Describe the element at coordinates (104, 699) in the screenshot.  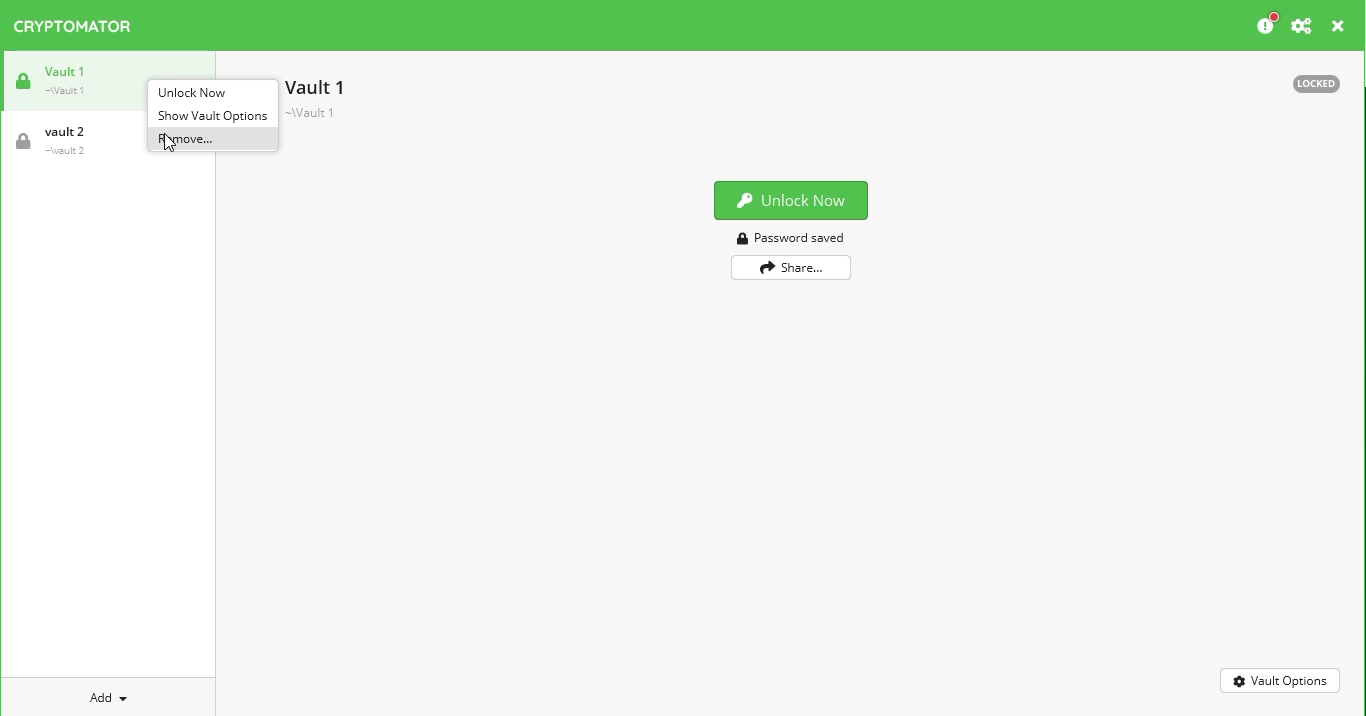
I see `add vault` at that location.